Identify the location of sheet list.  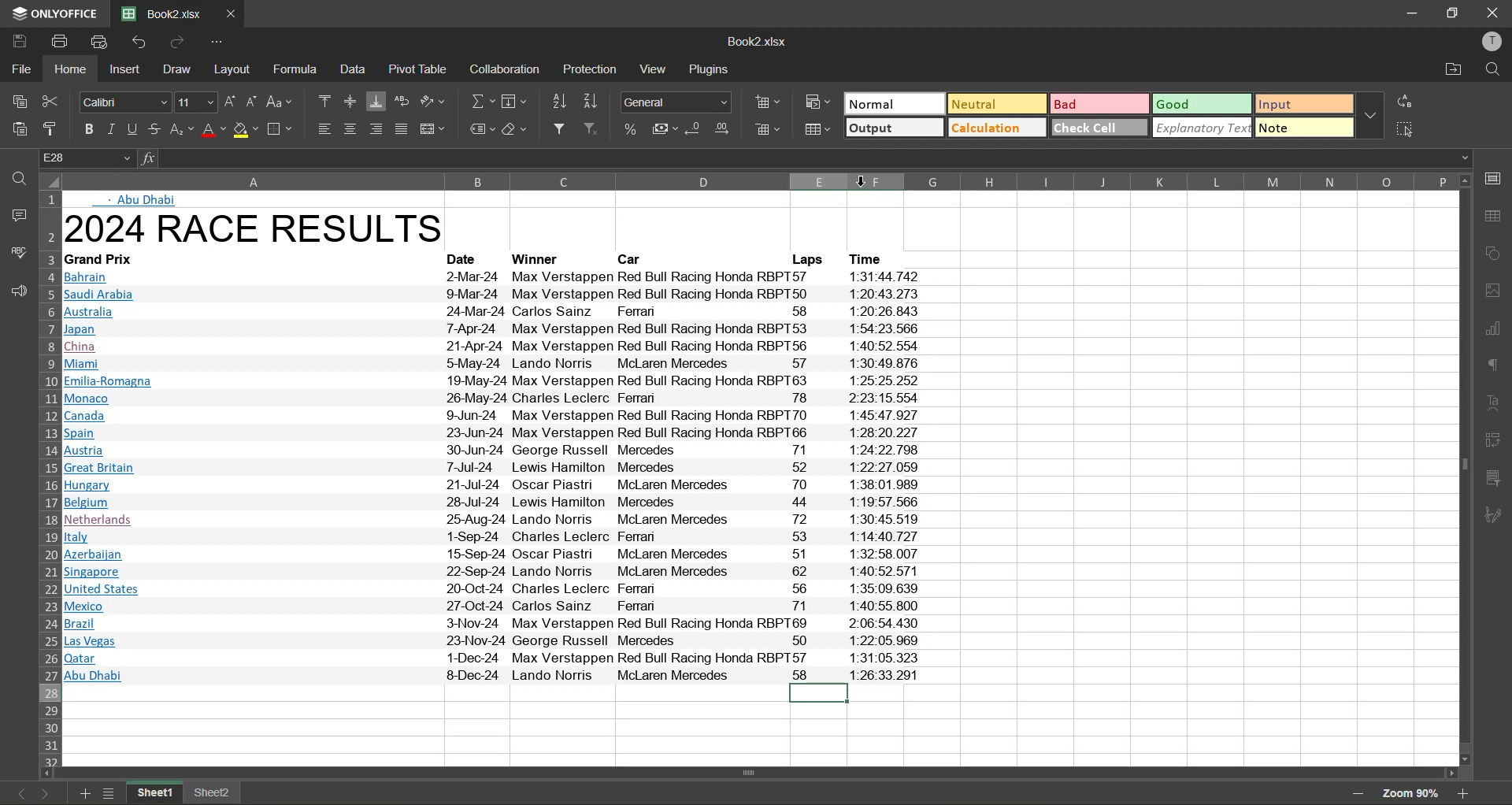
(110, 793).